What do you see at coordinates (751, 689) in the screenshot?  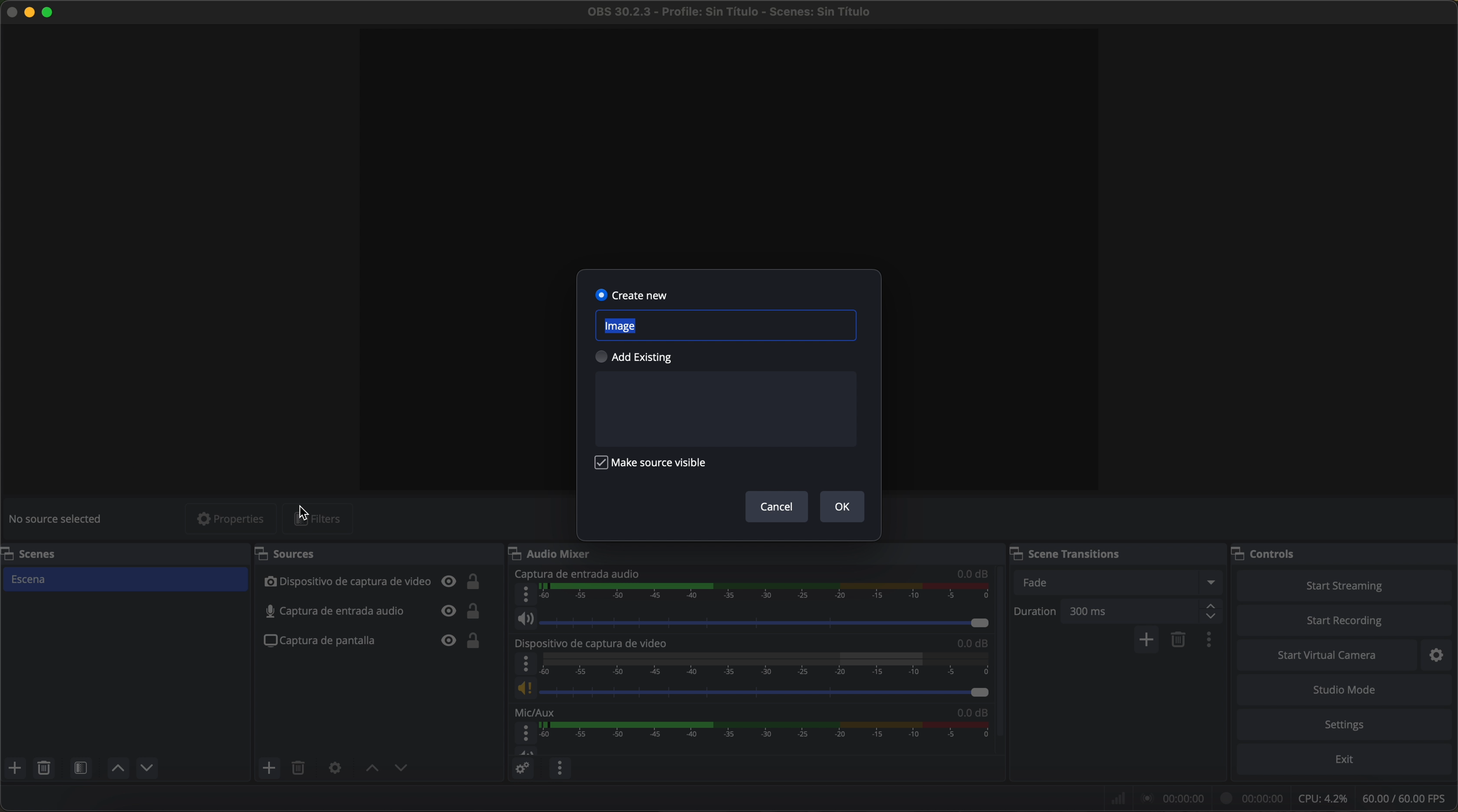 I see `vol` at bounding box center [751, 689].